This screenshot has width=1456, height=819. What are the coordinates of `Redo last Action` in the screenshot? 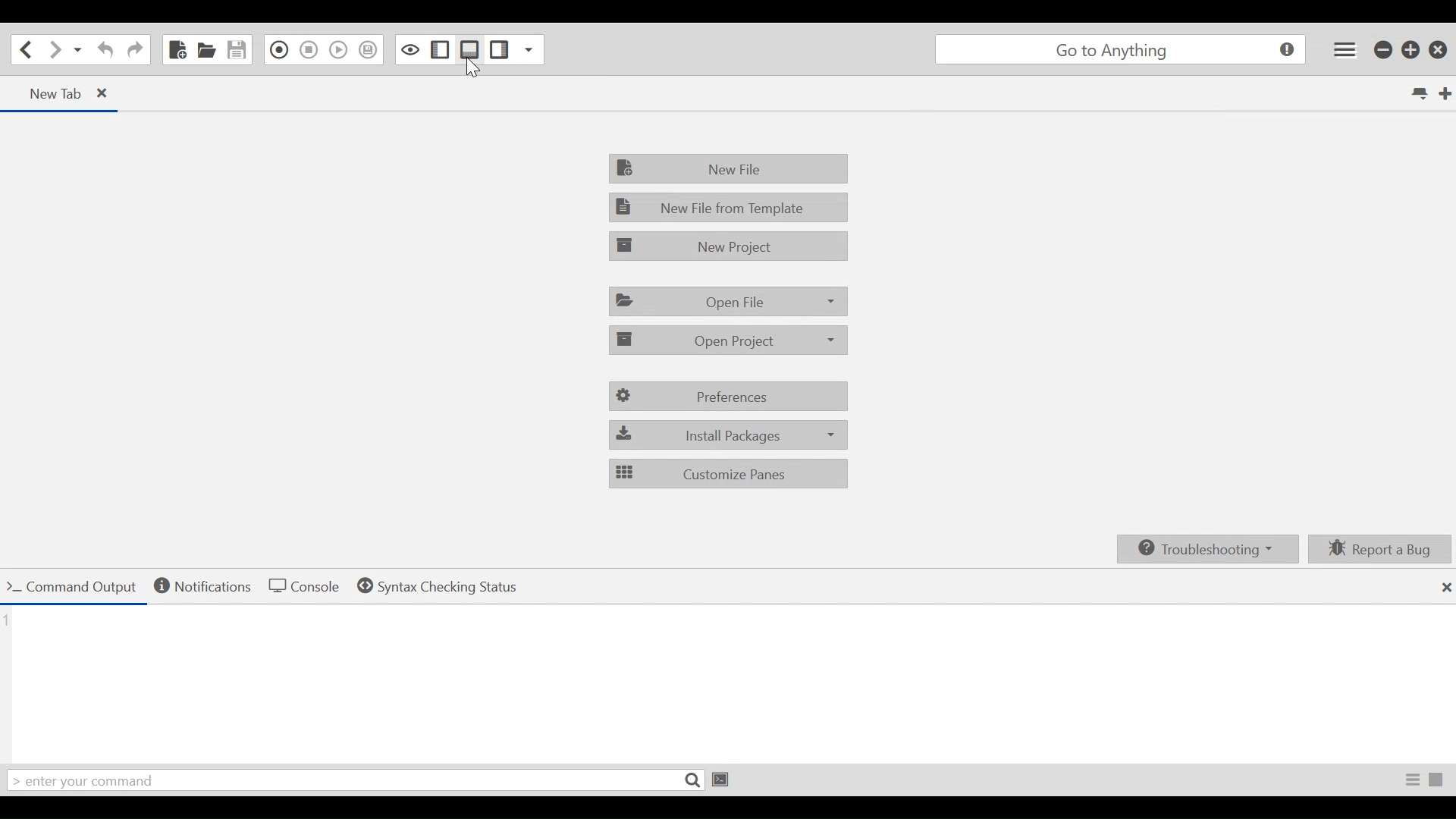 It's located at (136, 50).